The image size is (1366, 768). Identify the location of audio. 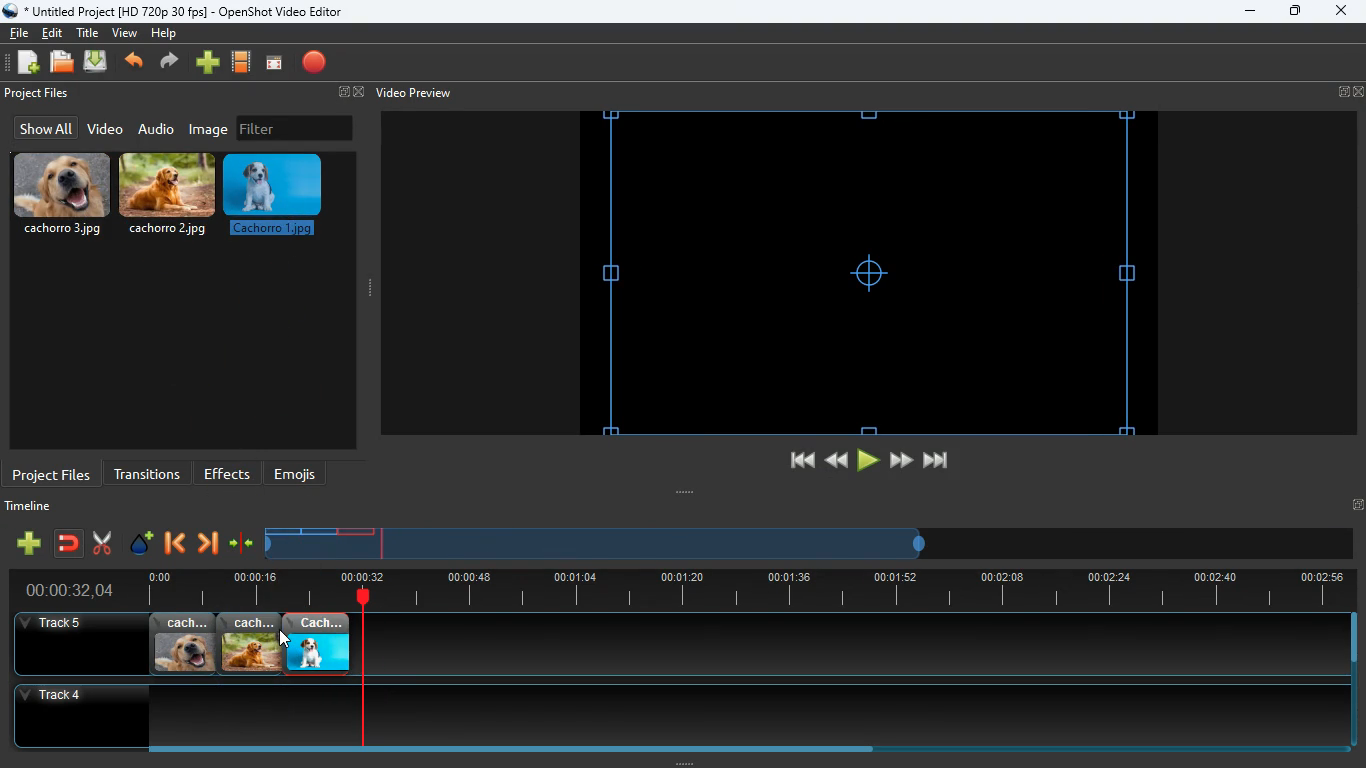
(157, 128).